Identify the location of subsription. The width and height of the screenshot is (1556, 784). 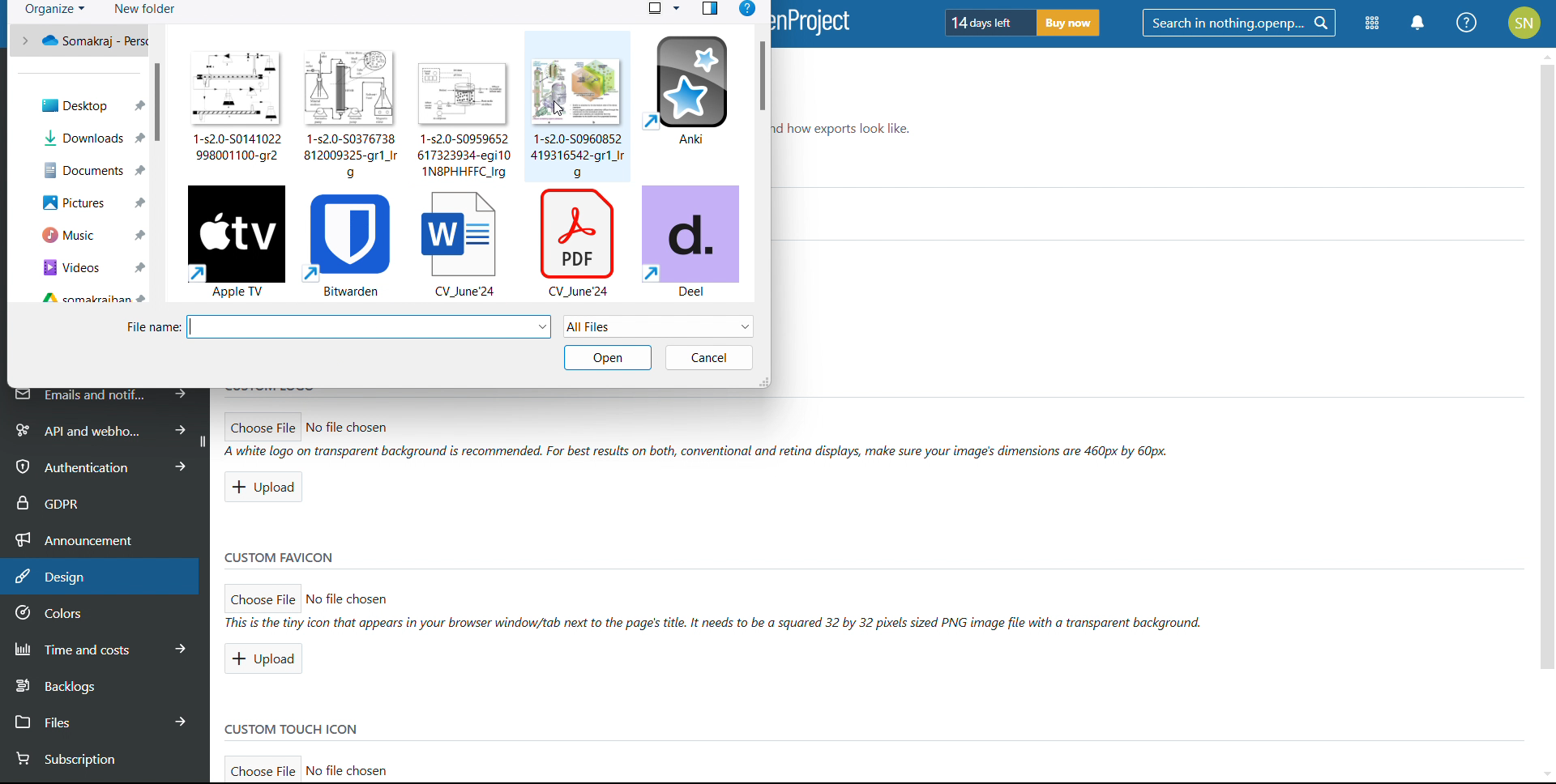
(93, 760).